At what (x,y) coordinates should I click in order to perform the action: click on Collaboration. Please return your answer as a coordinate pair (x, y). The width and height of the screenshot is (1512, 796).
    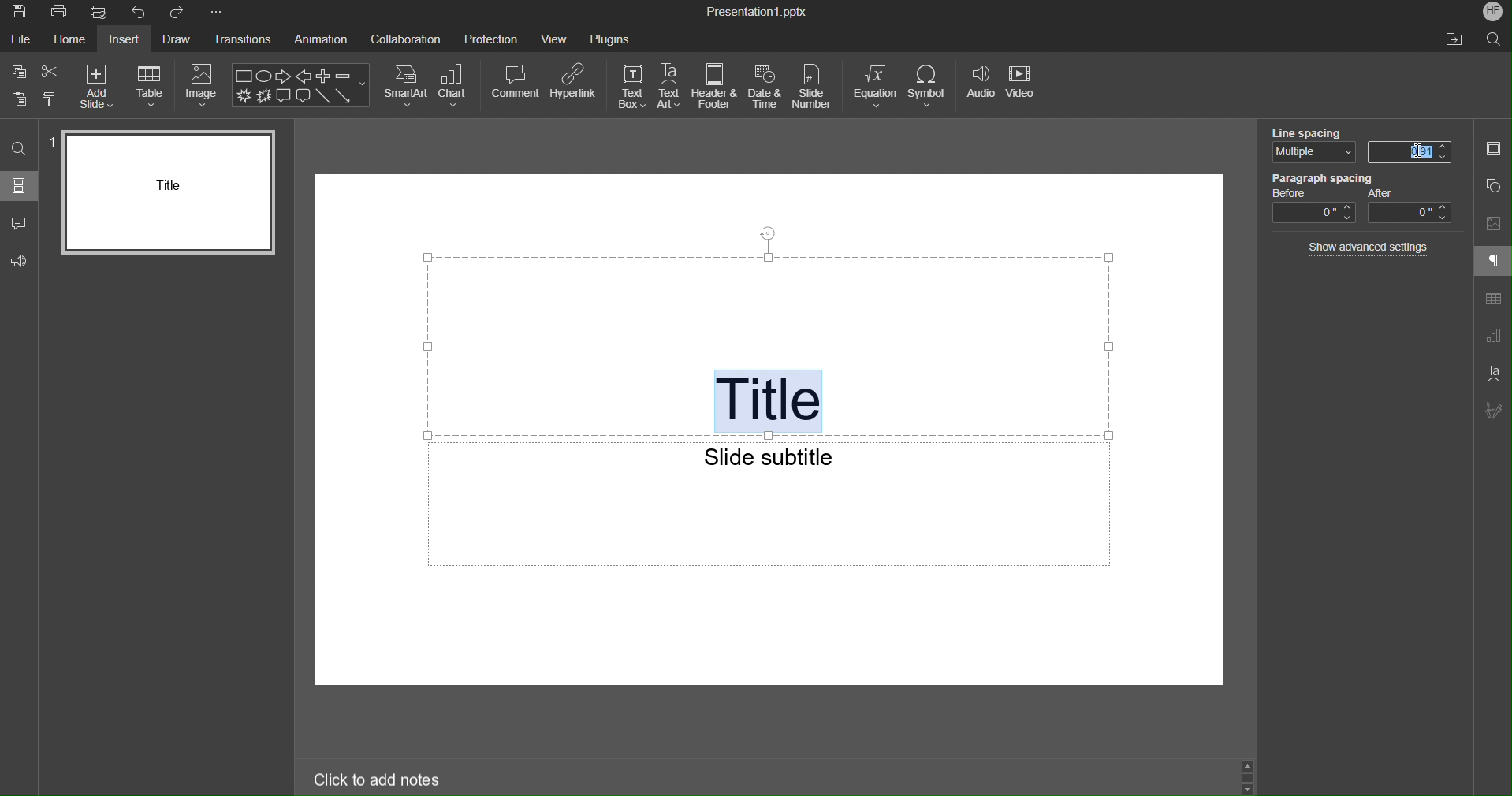
    Looking at the image, I should click on (409, 42).